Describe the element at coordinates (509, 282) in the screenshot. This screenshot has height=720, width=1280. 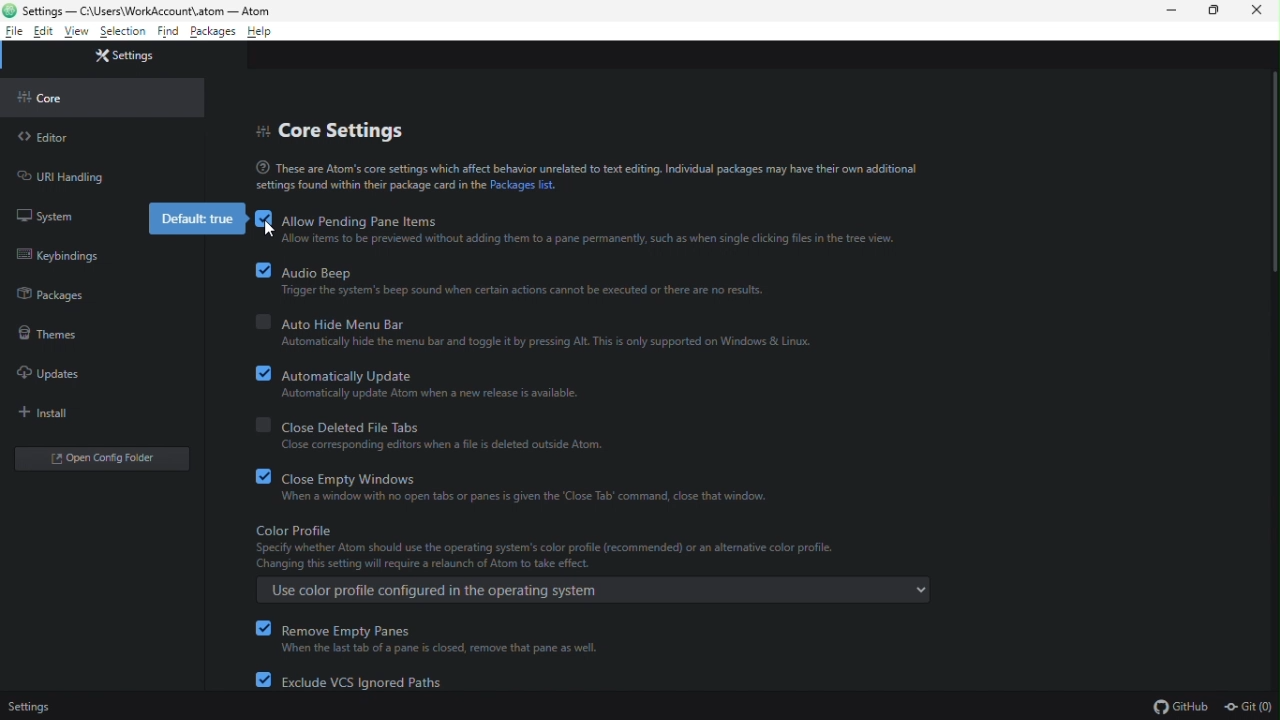
I see `audio beep. Trigger the system's beep sound when certain actions cannot be executed or there are no results.` at that location.